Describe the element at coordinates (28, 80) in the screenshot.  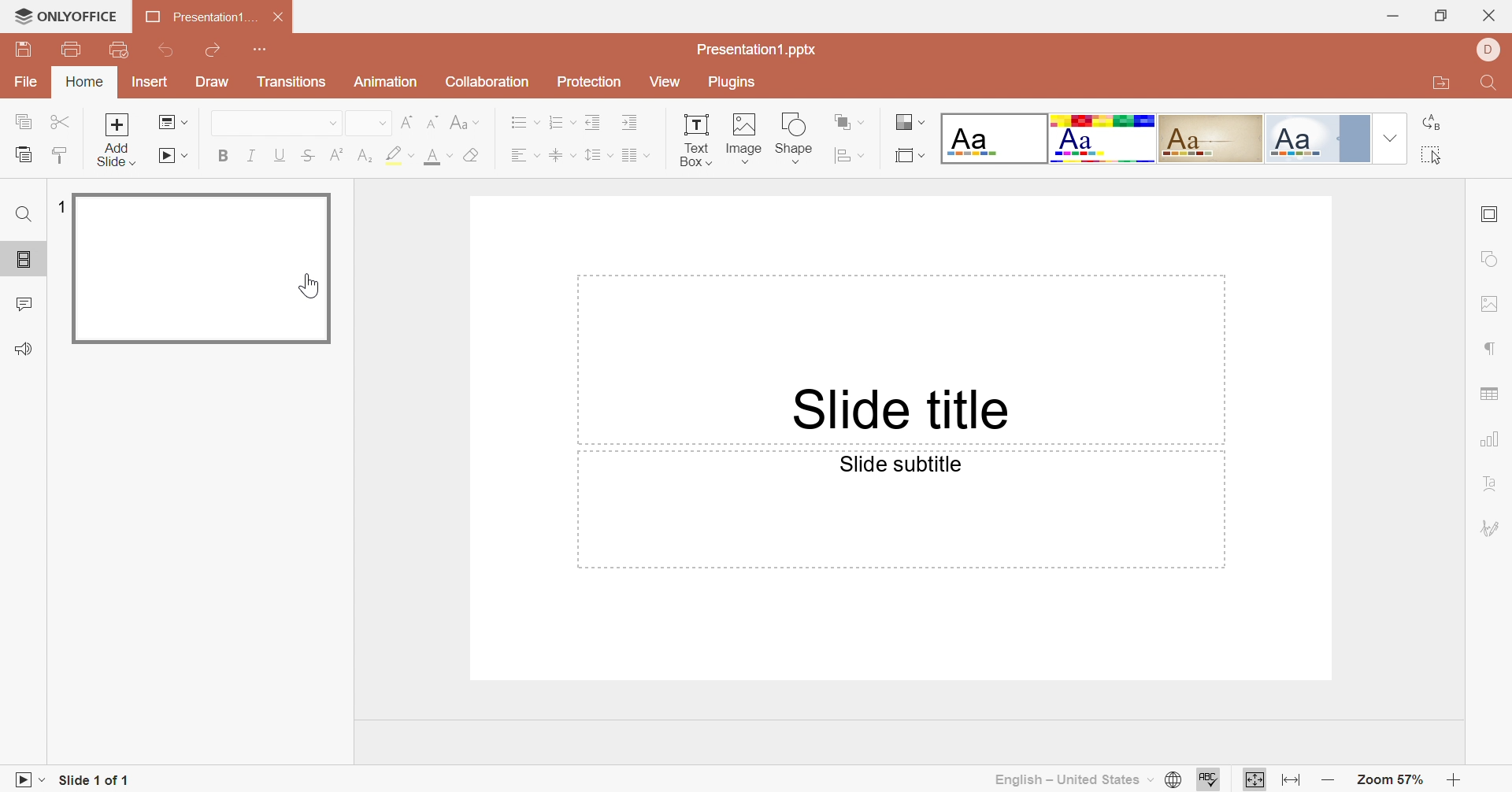
I see `File` at that location.